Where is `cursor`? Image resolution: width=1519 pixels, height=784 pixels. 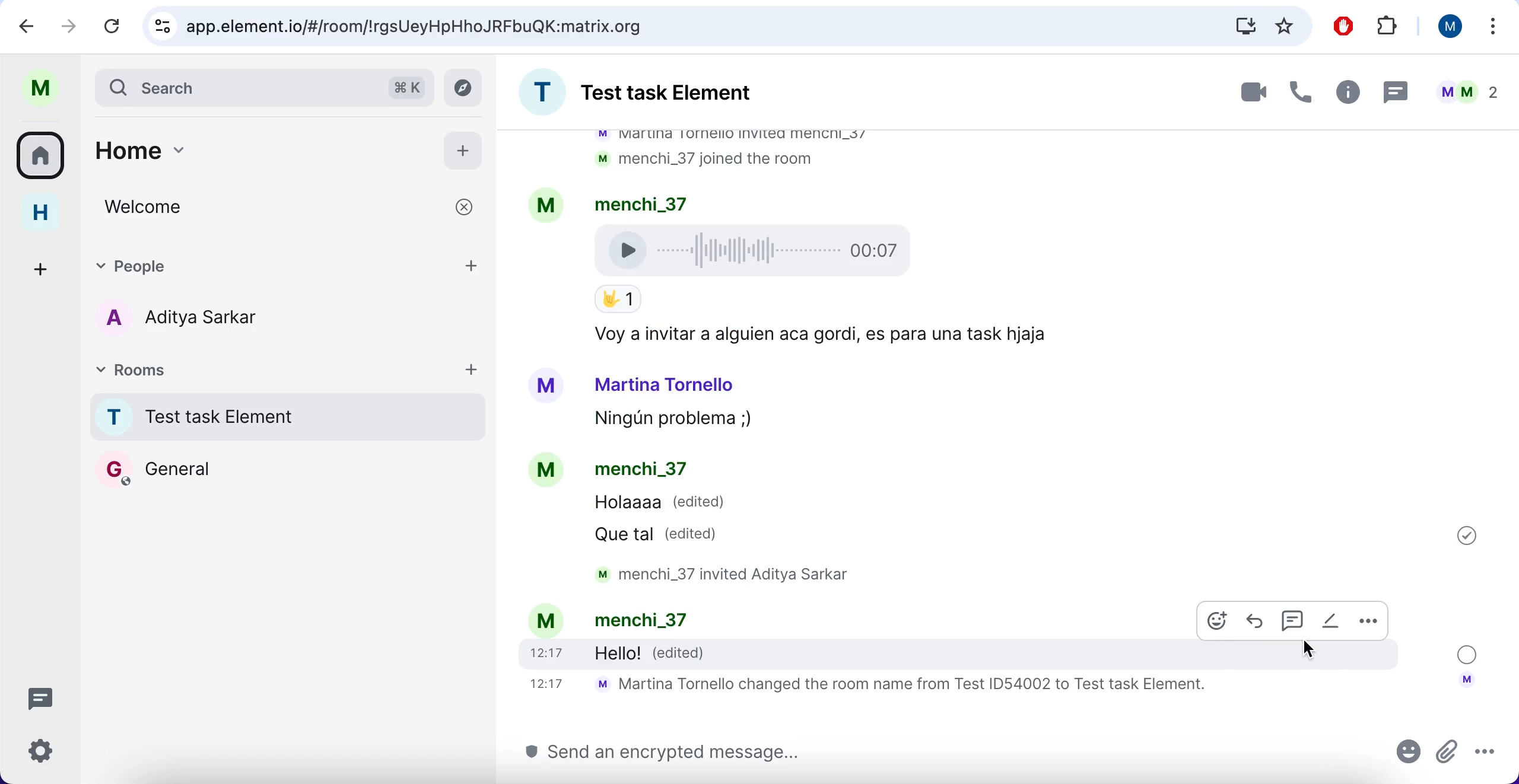 cursor is located at coordinates (1308, 650).